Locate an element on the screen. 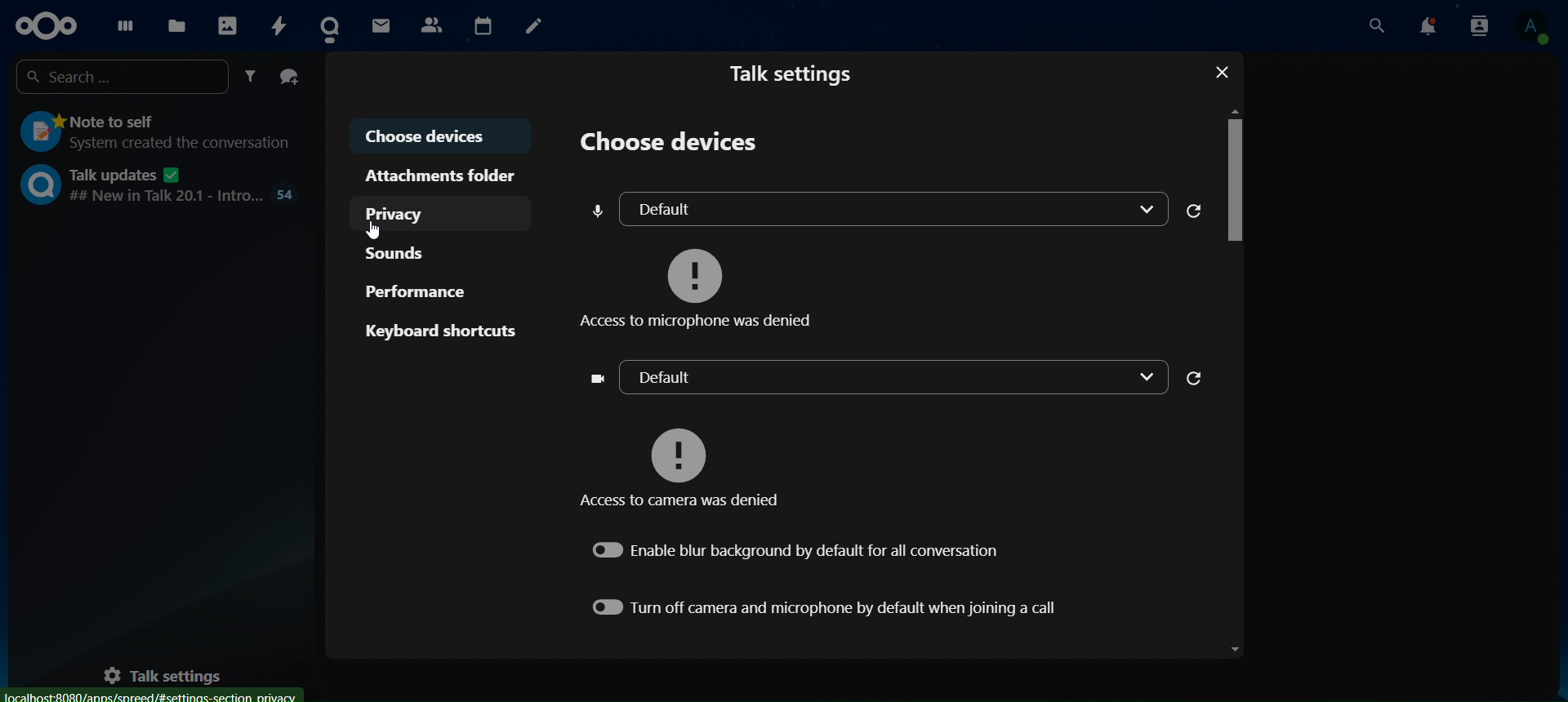 The image size is (1568, 702). talk updates is located at coordinates (160, 184).